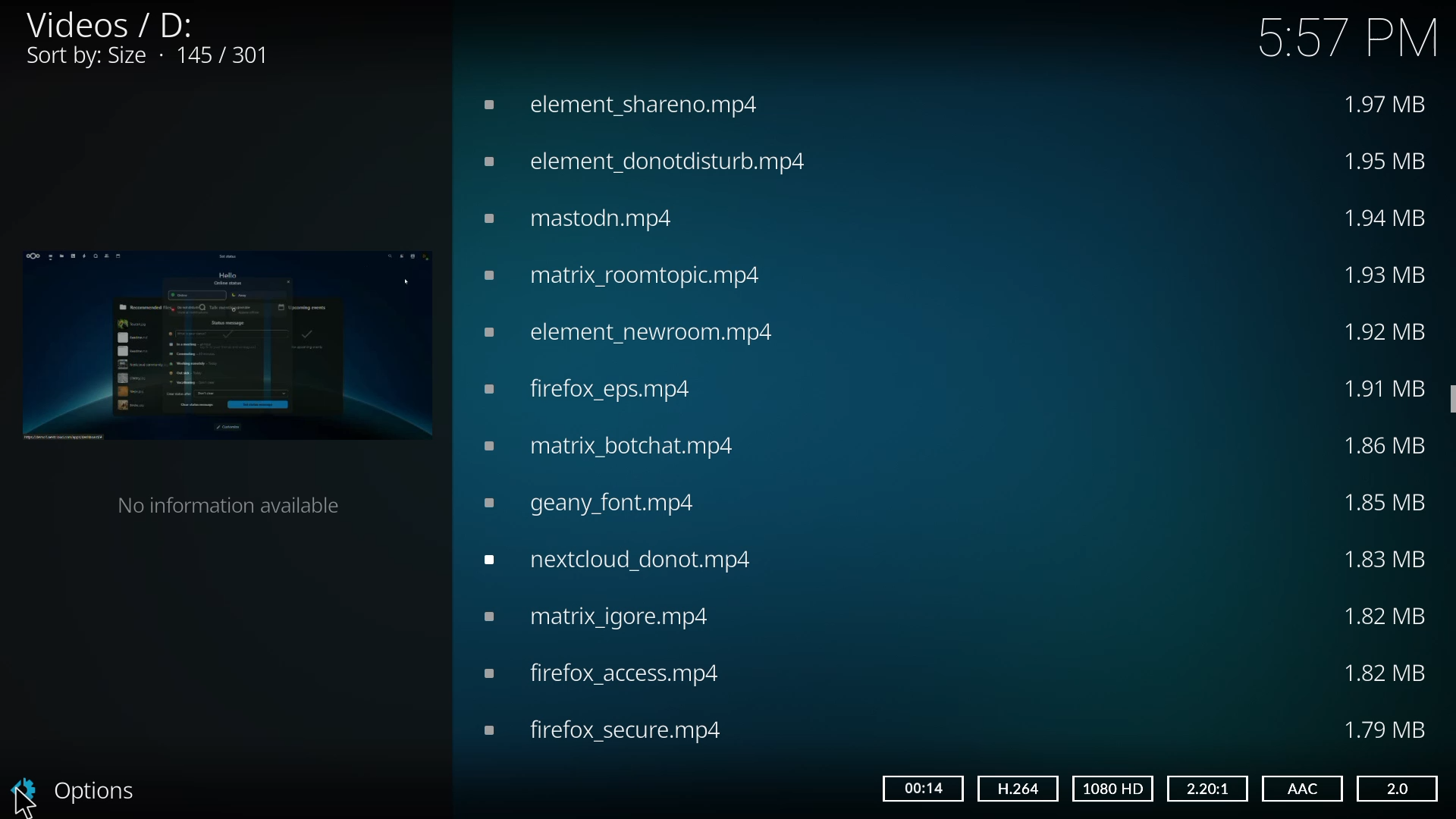 The image size is (1456, 819). Describe the element at coordinates (619, 102) in the screenshot. I see `video` at that location.